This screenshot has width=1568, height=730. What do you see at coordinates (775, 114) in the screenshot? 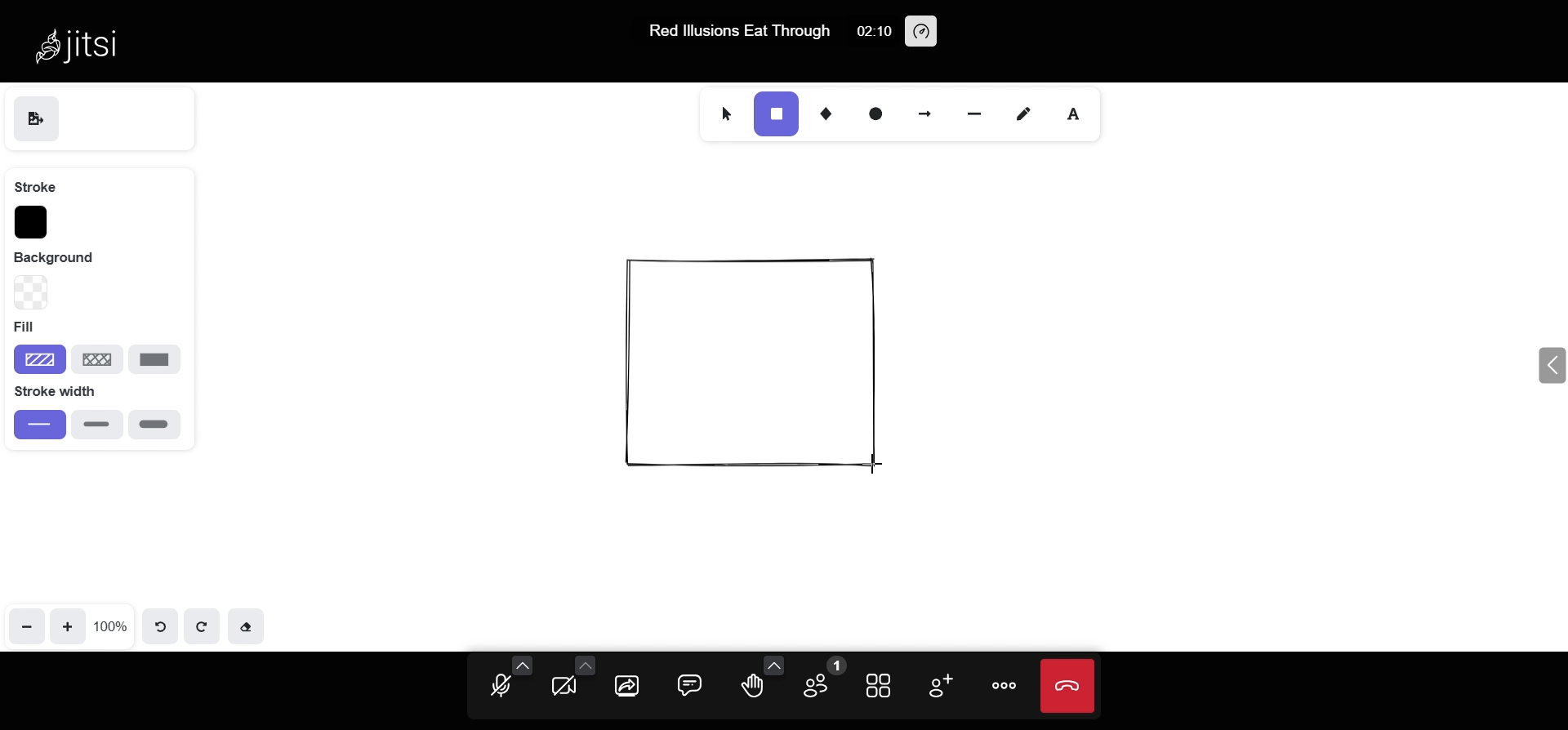
I see `rectangle` at bounding box center [775, 114].